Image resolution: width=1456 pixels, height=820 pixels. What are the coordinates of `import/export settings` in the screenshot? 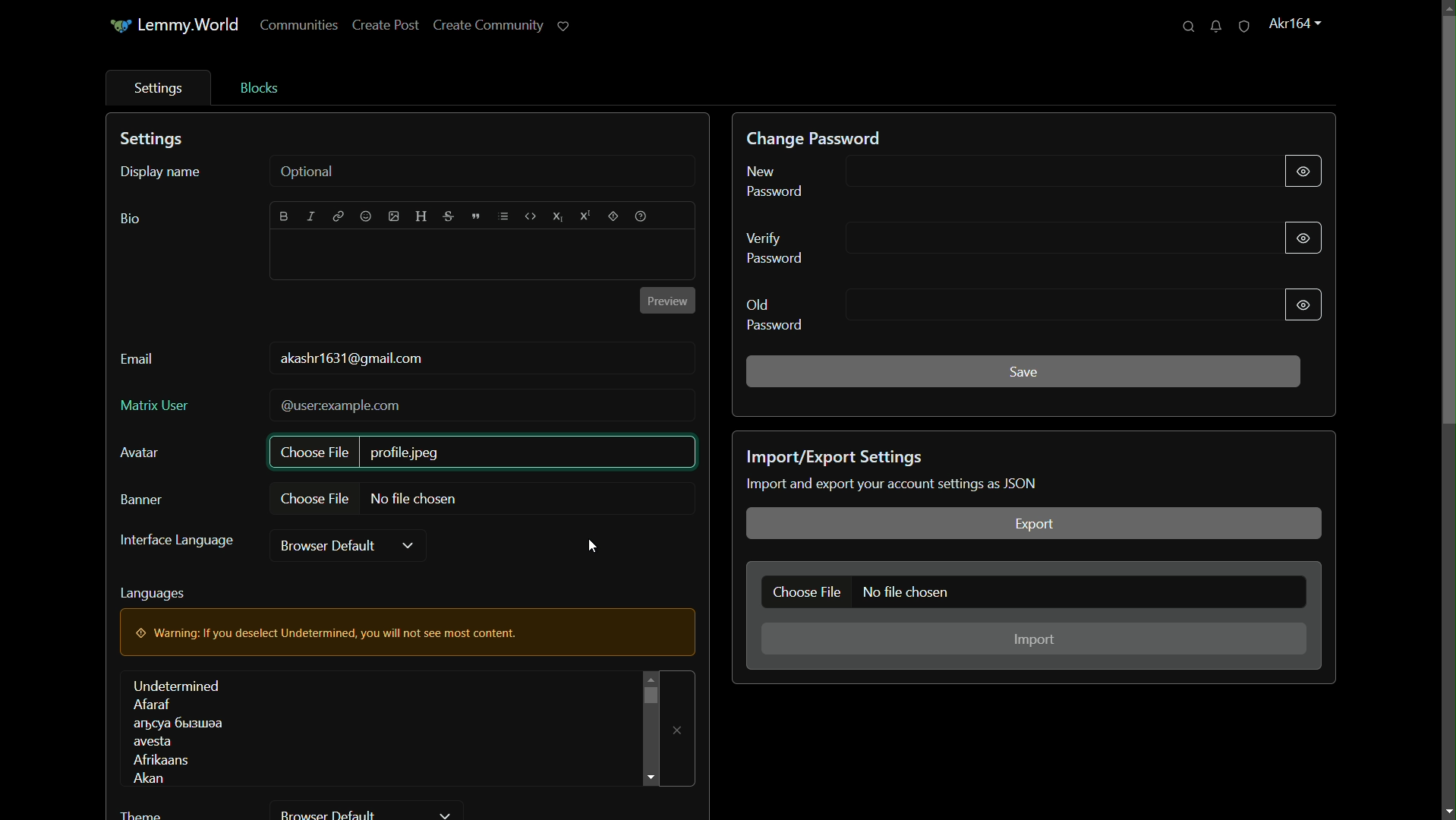 It's located at (838, 457).